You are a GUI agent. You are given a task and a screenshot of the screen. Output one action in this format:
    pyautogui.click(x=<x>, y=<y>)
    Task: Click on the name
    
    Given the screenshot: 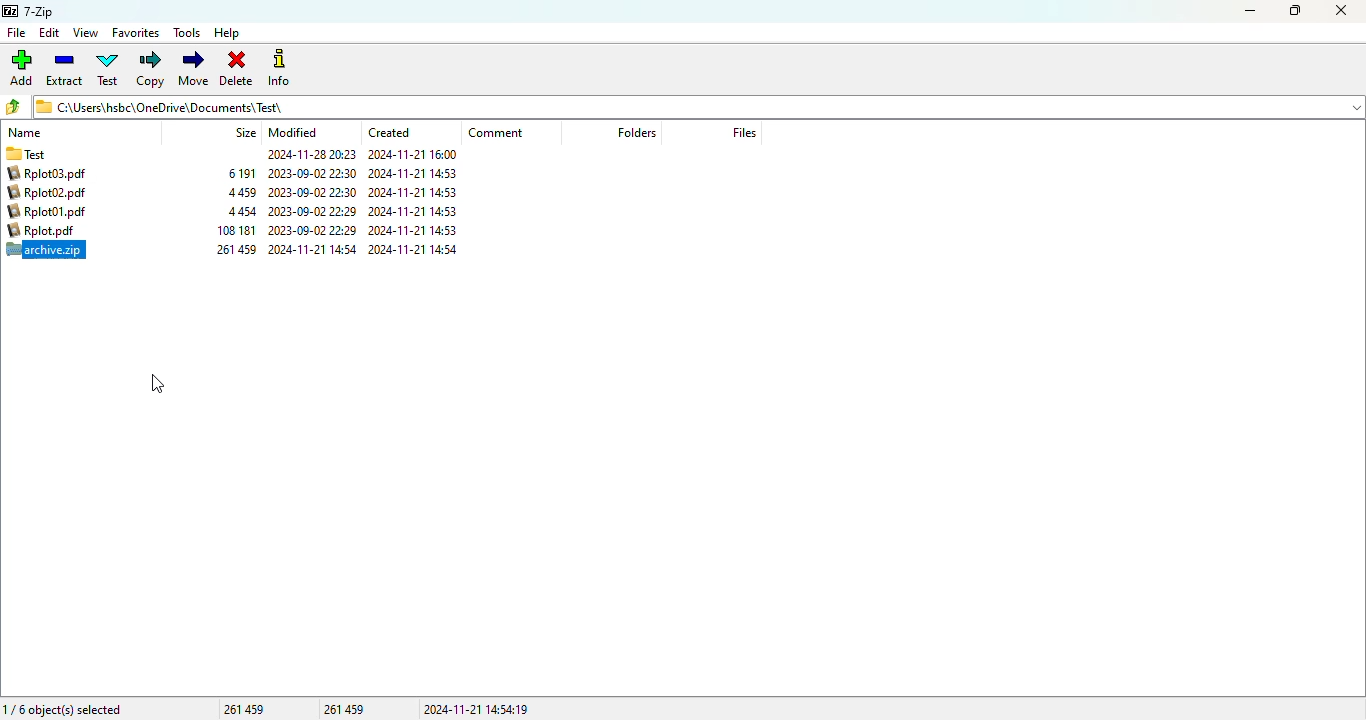 What is the action you would take?
    pyautogui.click(x=25, y=133)
    